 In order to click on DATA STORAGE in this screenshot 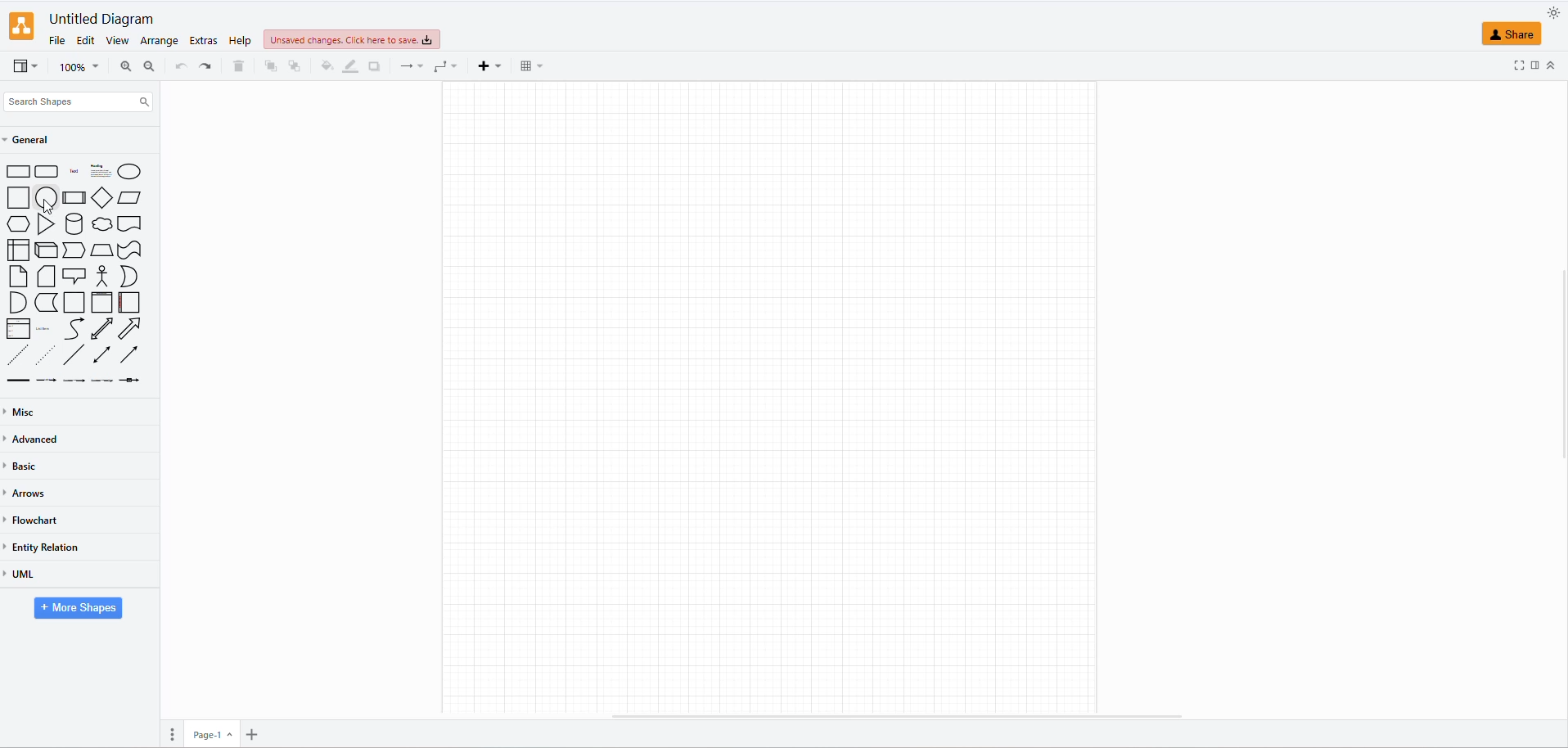, I will do `click(47, 301)`.